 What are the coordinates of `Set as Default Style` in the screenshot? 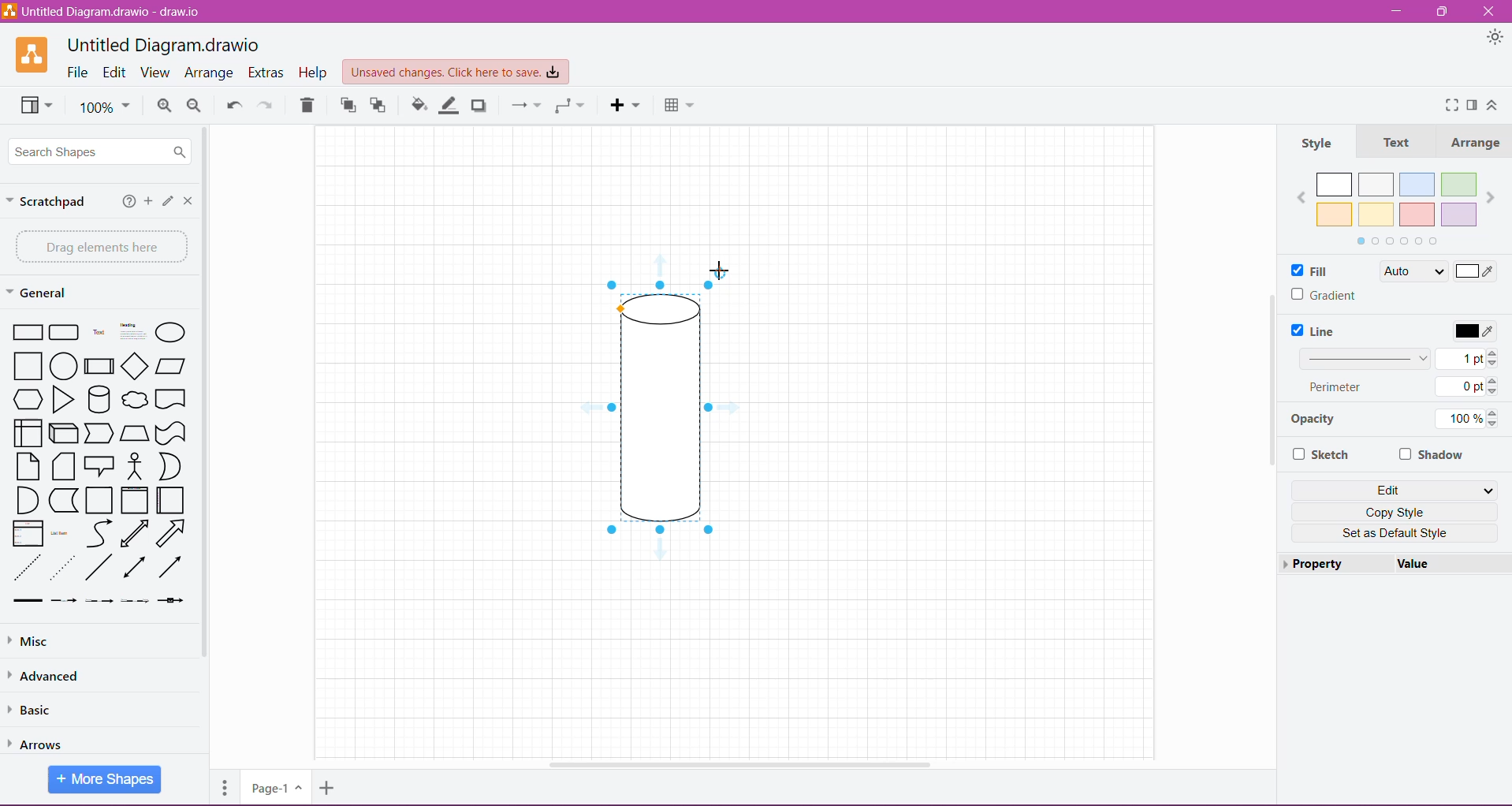 It's located at (1395, 534).